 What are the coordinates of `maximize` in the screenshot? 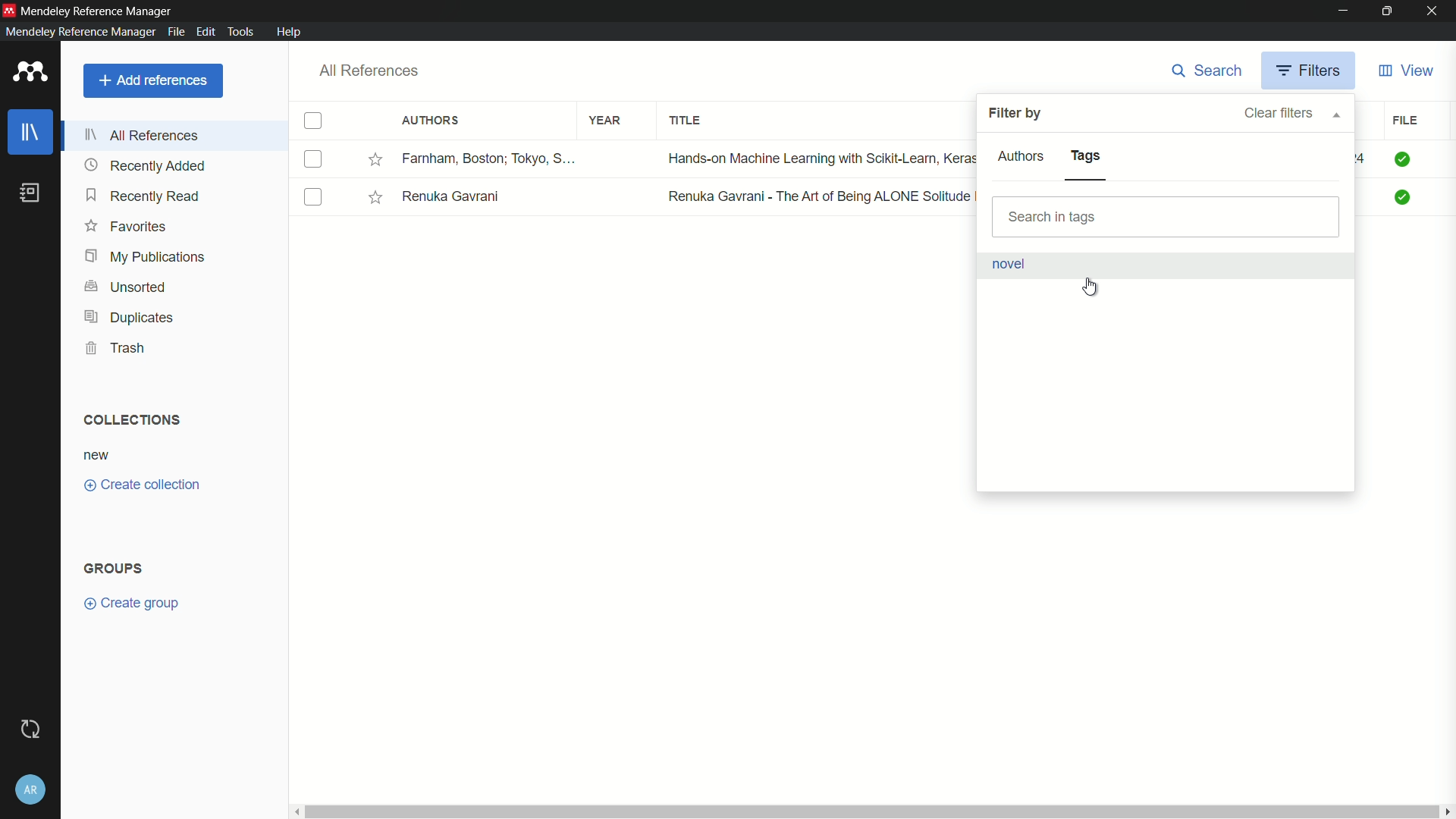 It's located at (1387, 11).